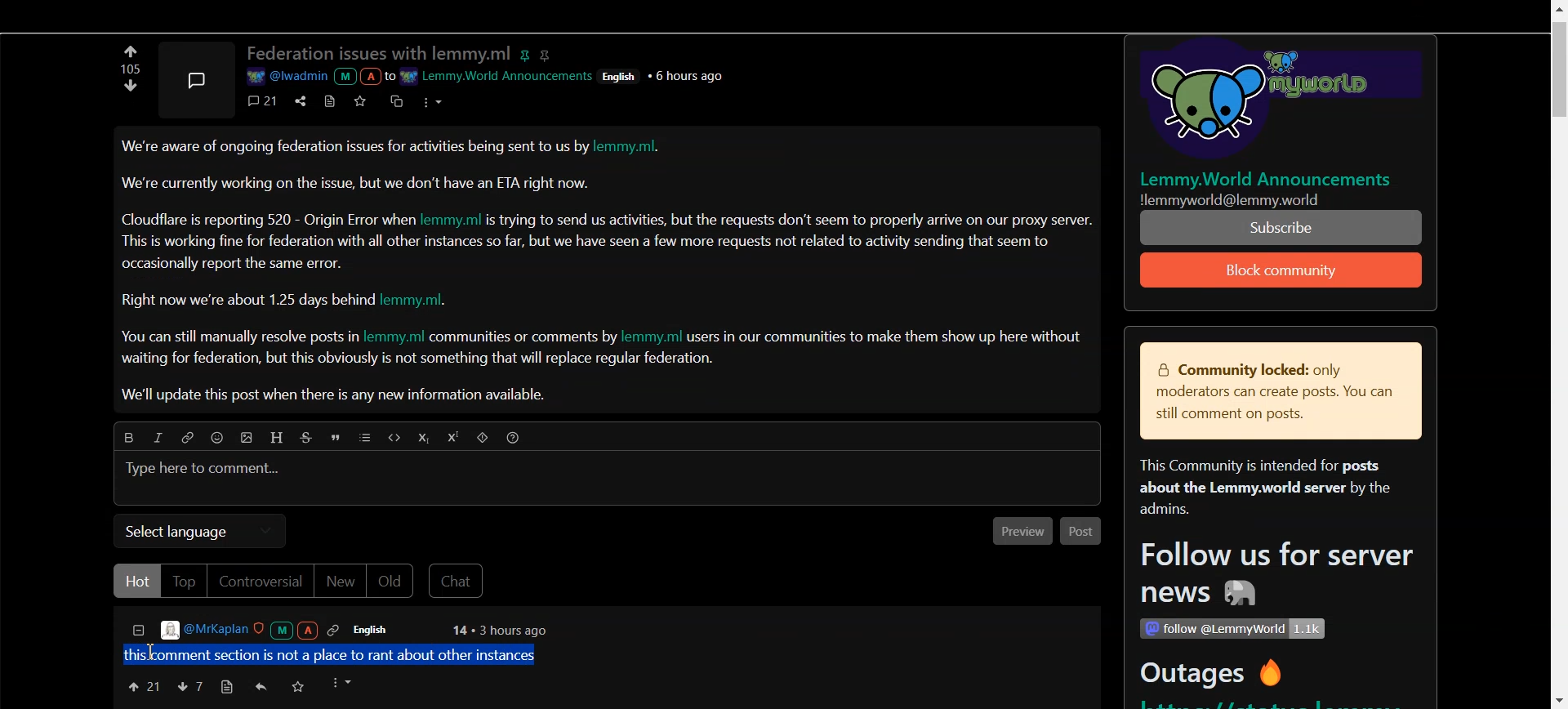 This screenshot has width=1568, height=709. I want to click on lemmy.ml., so click(635, 149).